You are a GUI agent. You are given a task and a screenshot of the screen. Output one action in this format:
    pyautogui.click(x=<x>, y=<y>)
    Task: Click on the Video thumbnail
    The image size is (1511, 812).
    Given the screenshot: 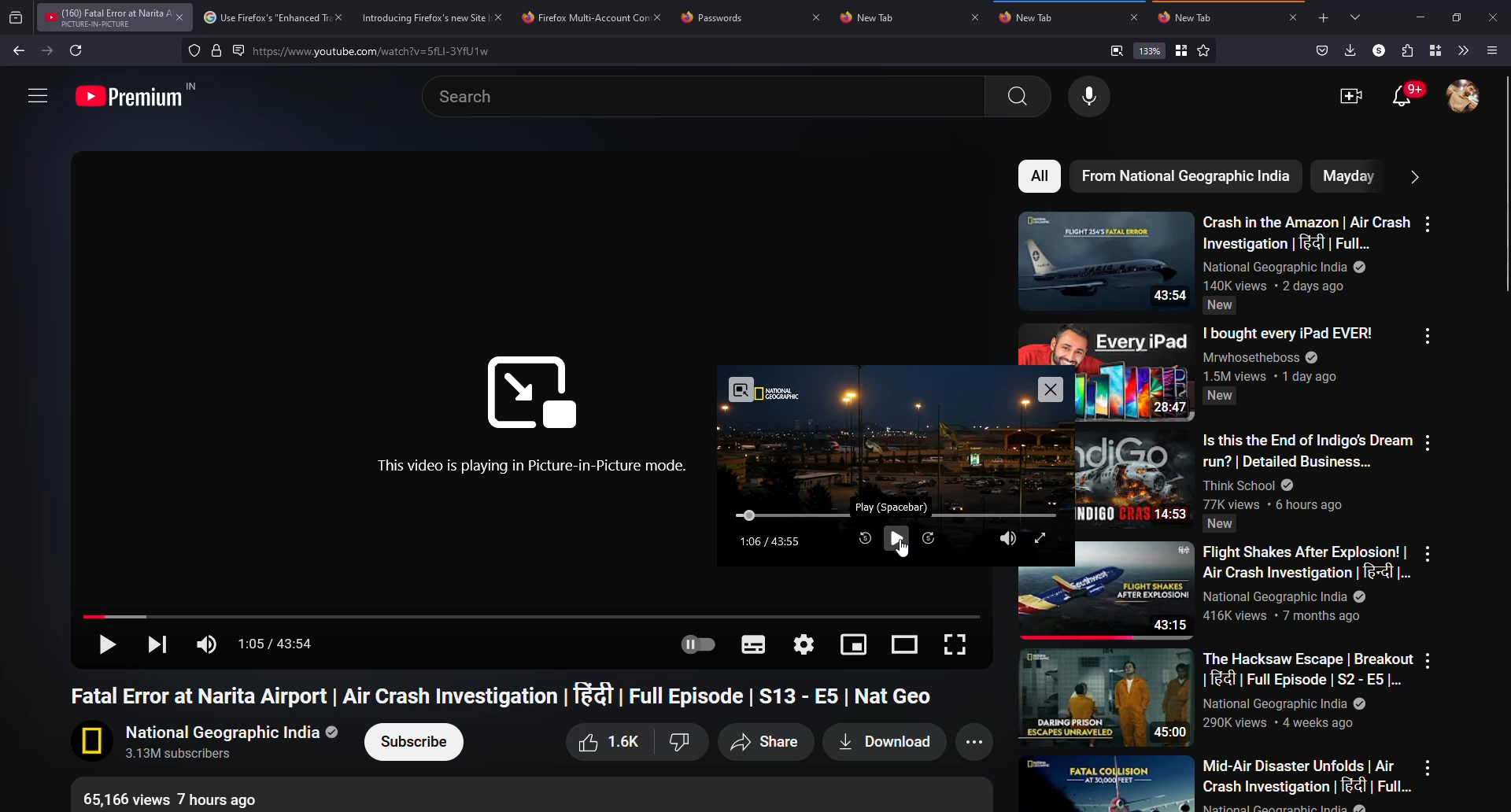 What is the action you would take?
    pyautogui.click(x=1136, y=480)
    